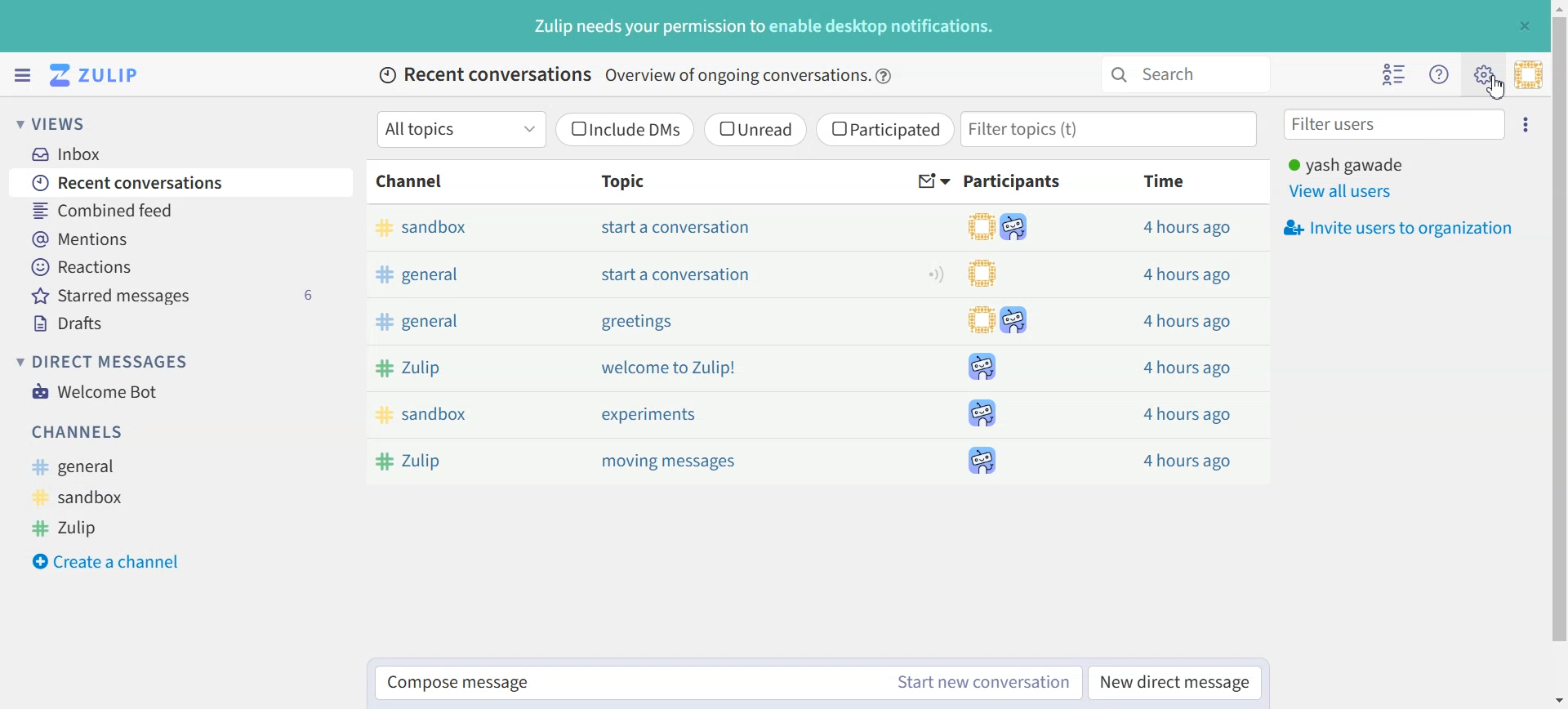 This screenshot has width=1568, height=709. I want to click on participants, so click(1006, 344).